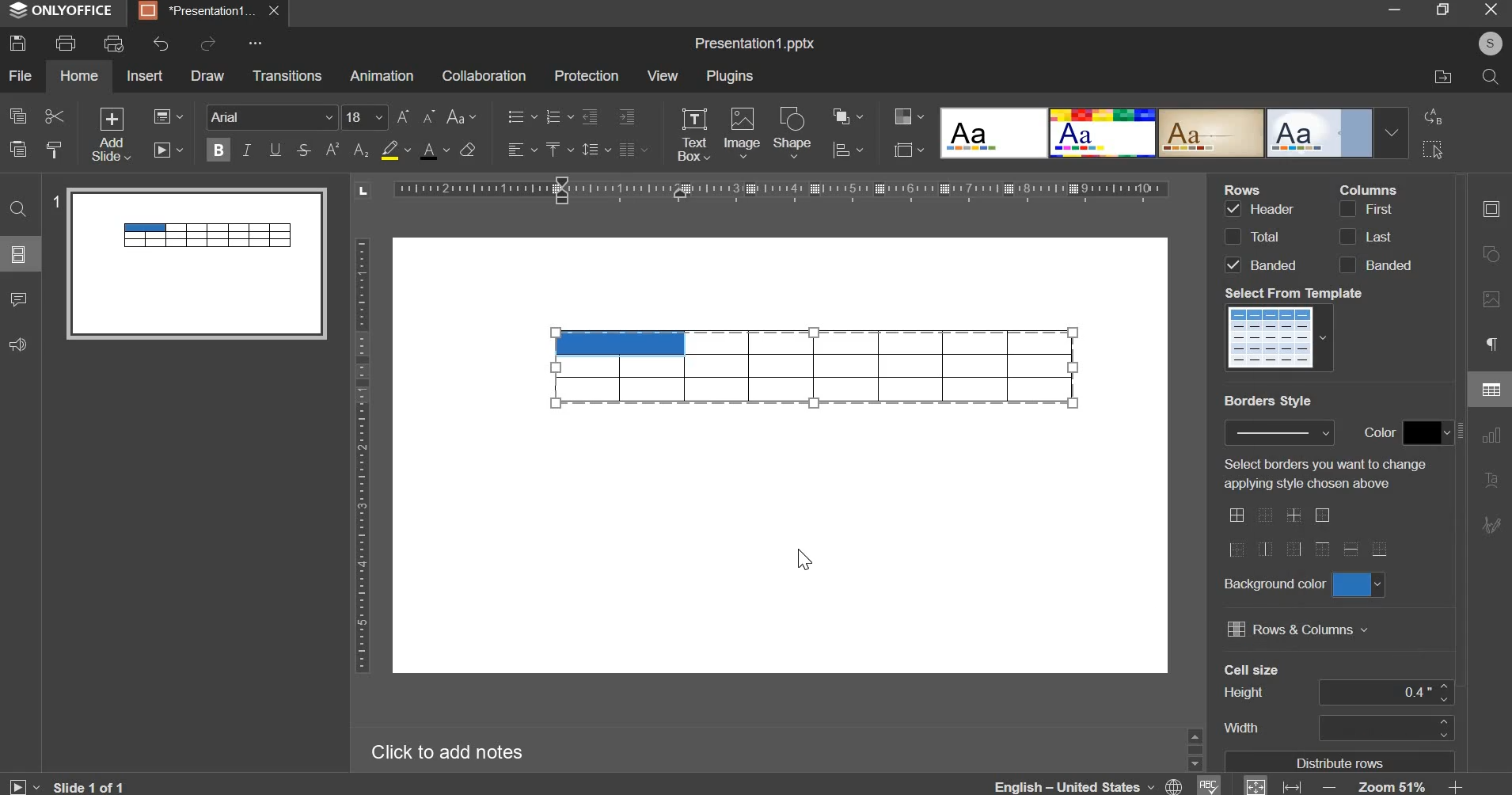 The image size is (1512, 795). I want to click on ONLYOFFICE , so click(64, 11).